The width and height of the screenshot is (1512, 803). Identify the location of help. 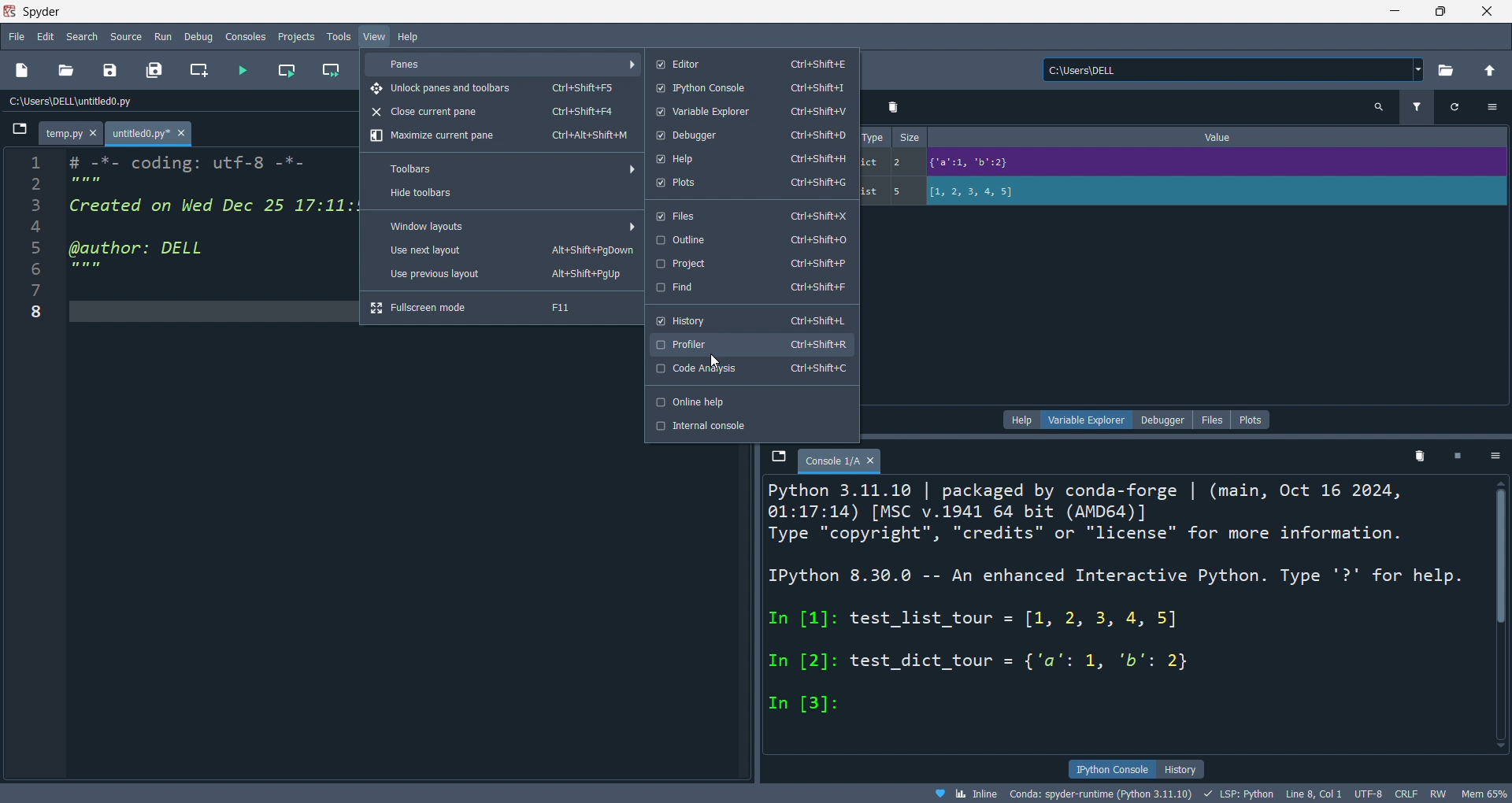
(411, 36).